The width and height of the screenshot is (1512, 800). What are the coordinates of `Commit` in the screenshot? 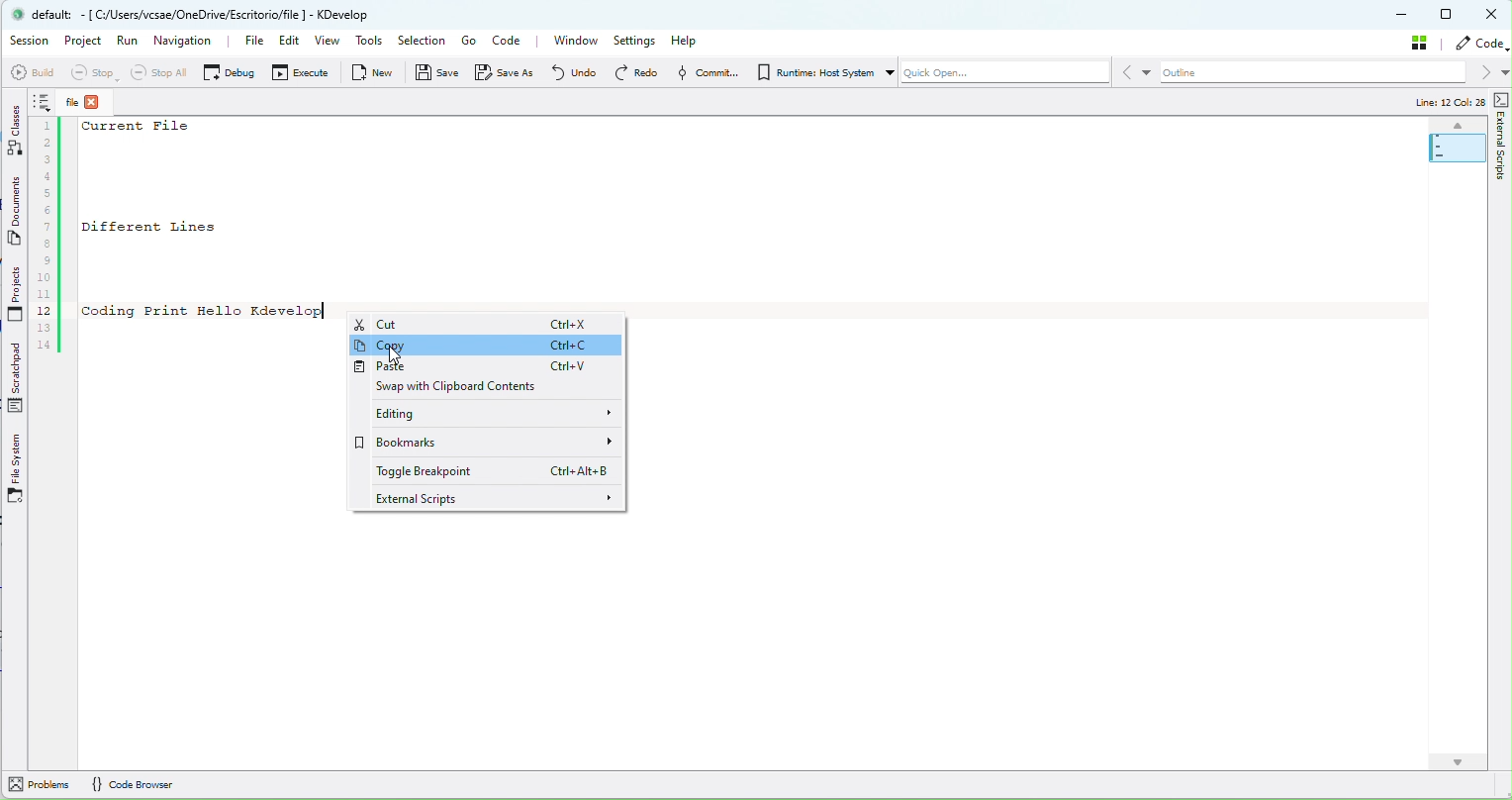 It's located at (705, 72).